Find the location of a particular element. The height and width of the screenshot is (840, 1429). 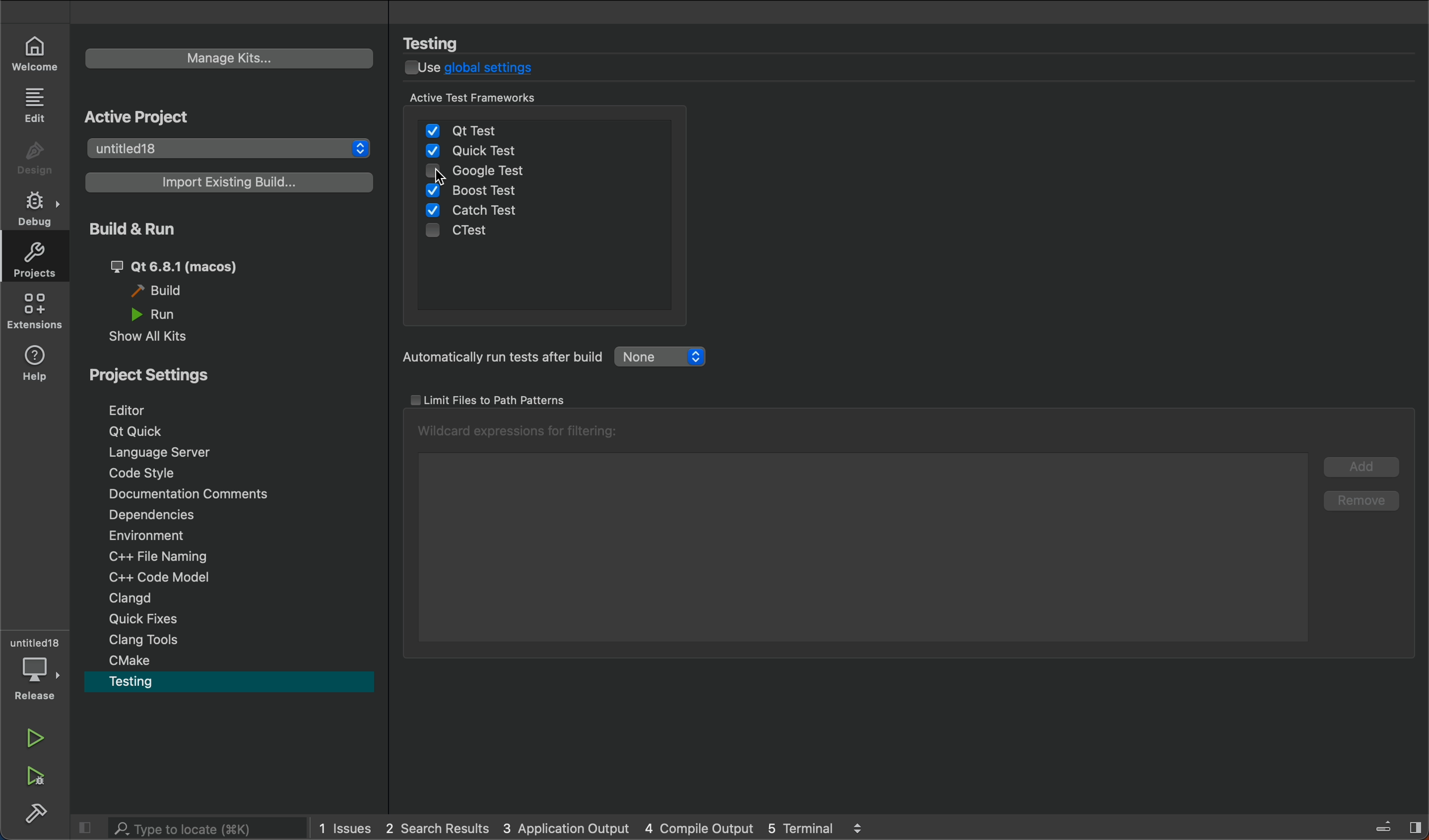

code modal is located at coordinates (234, 579).